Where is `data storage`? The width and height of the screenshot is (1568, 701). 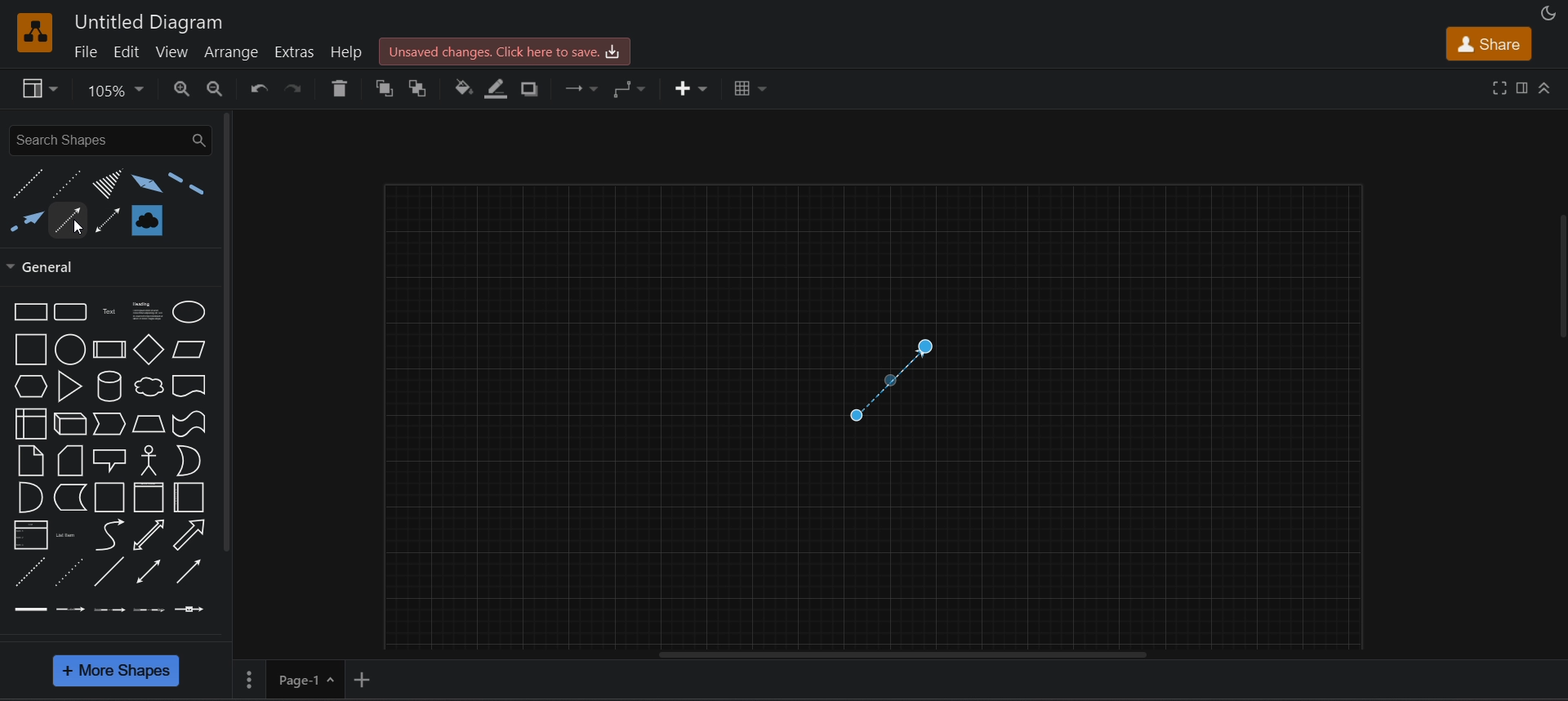
data storage is located at coordinates (69, 497).